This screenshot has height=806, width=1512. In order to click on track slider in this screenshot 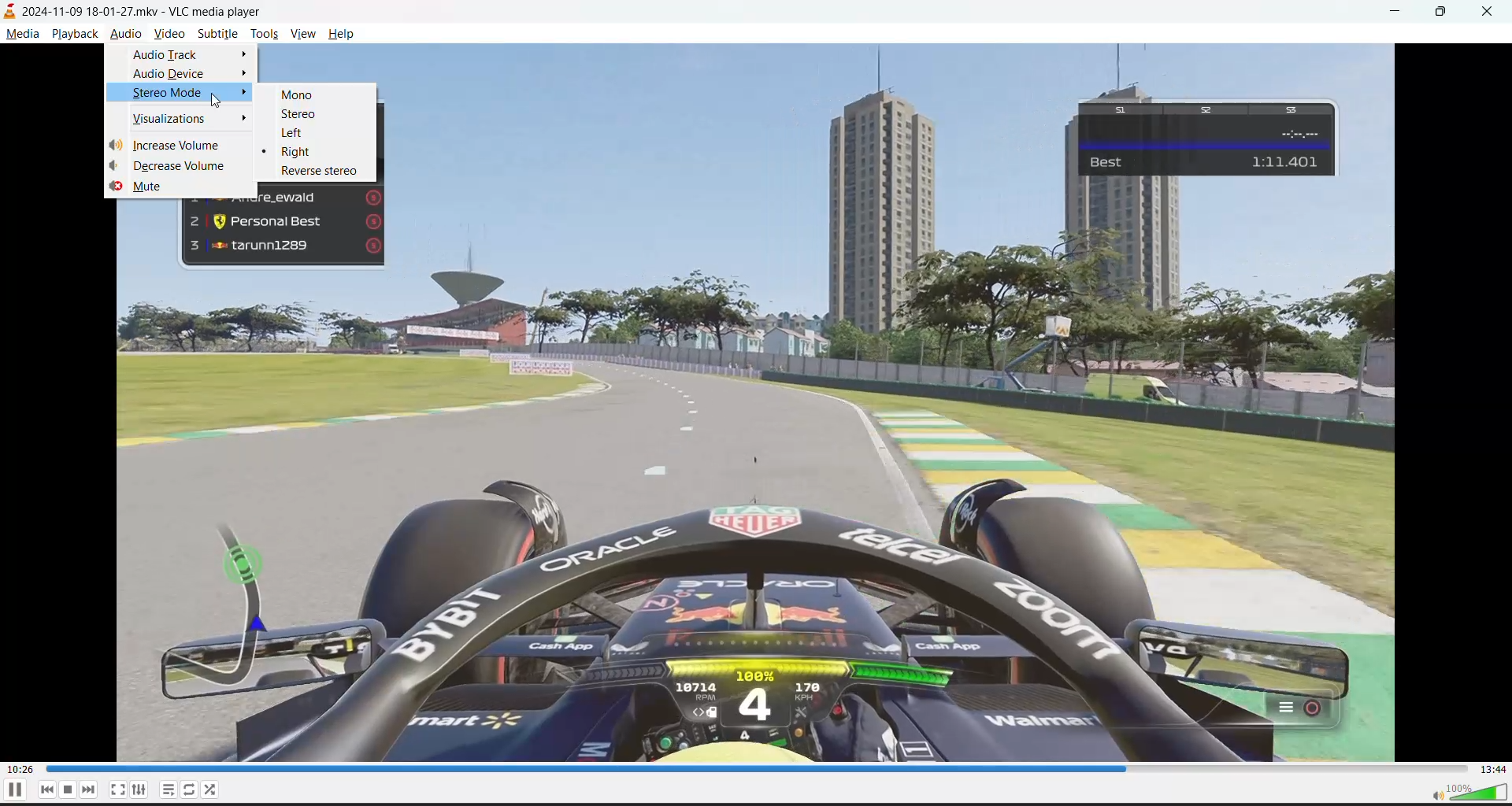, I will do `click(750, 769)`.